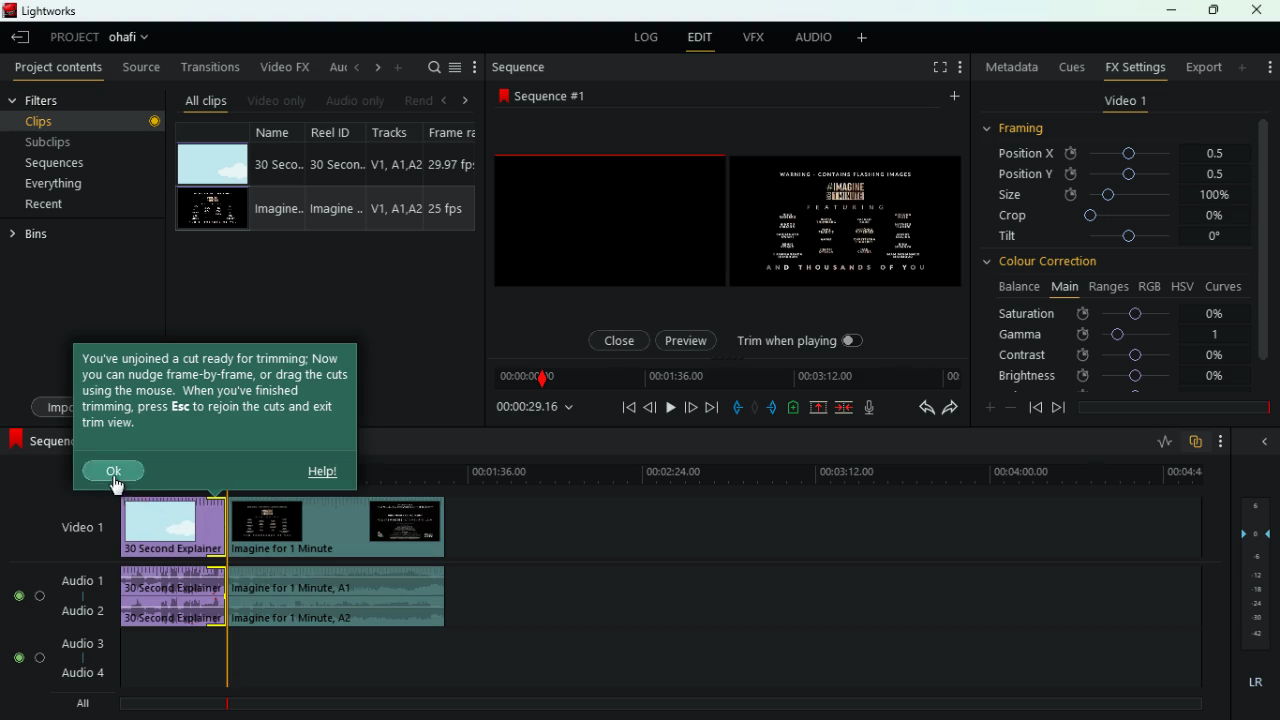 The image size is (1280, 720). Describe the element at coordinates (813, 38) in the screenshot. I see `audio` at that location.